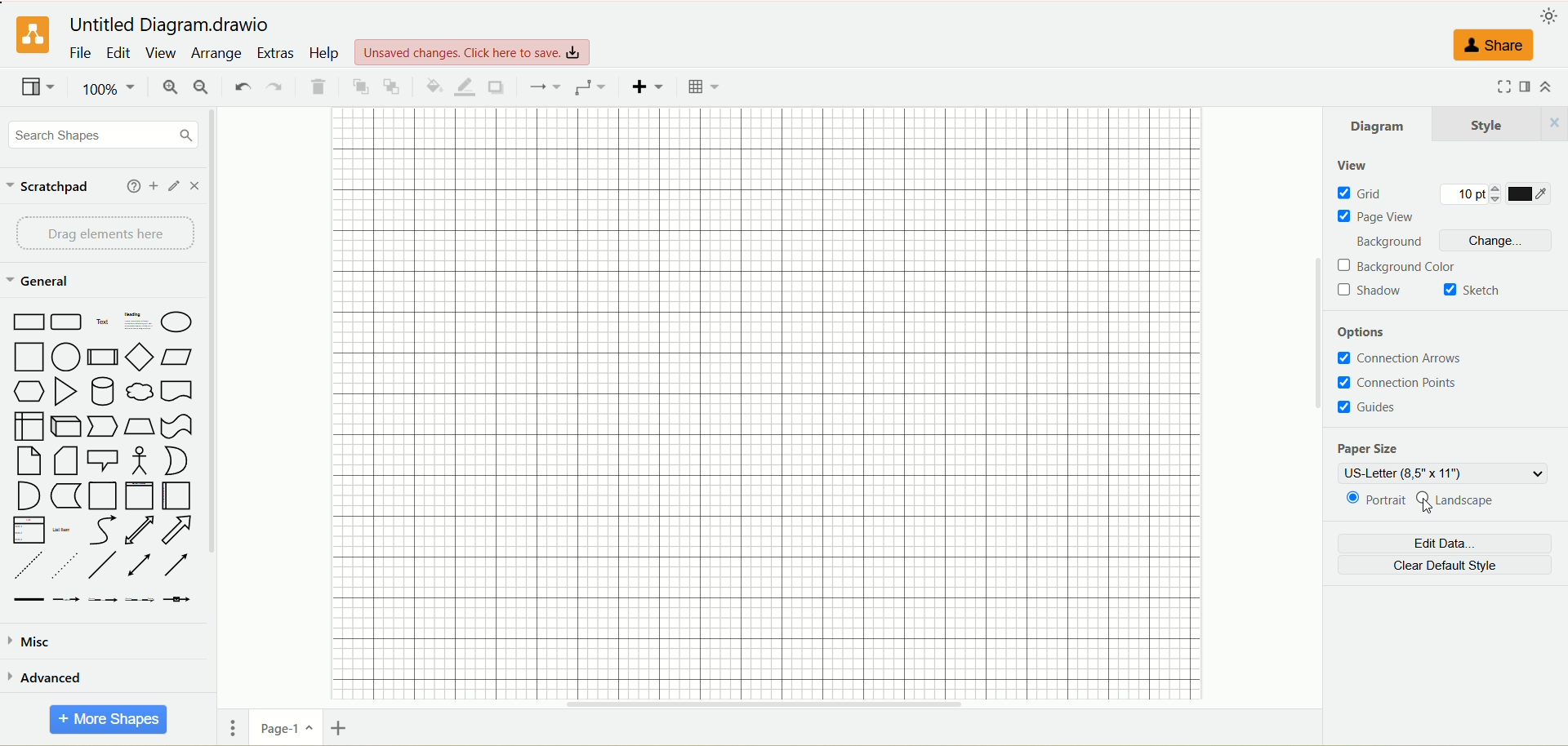  What do you see at coordinates (1441, 474) in the screenshot?
I see `US-letter` at bounding box center [1441, 474].